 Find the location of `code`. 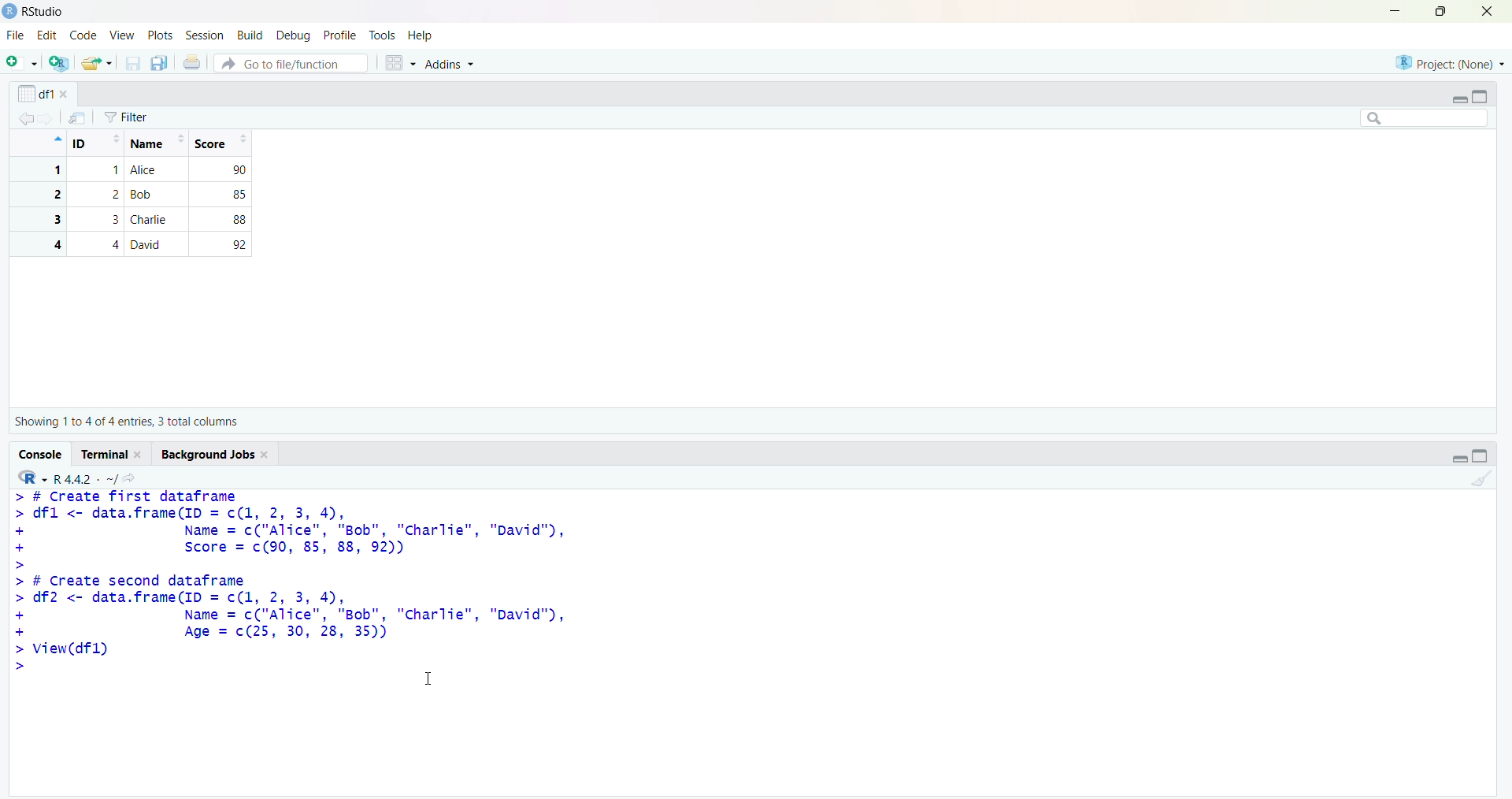

code is located at coordinates (84, 35).